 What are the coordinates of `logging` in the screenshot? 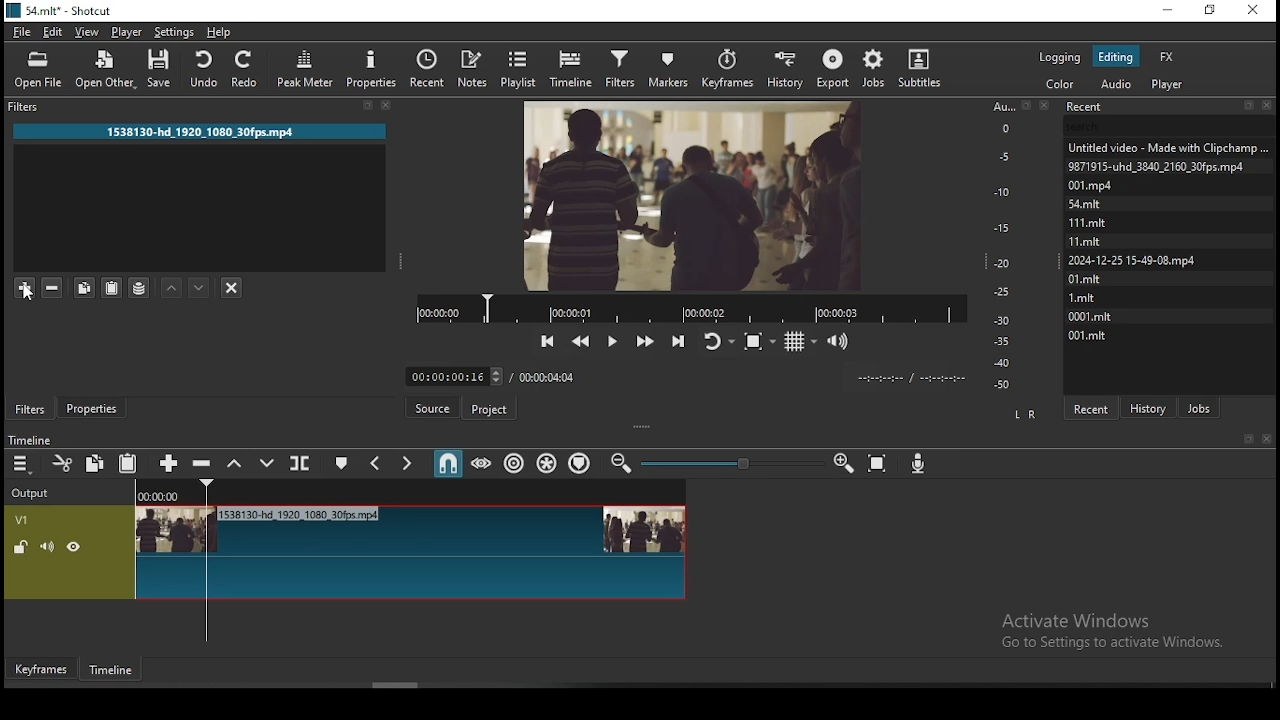 It's located at (1062, 55).